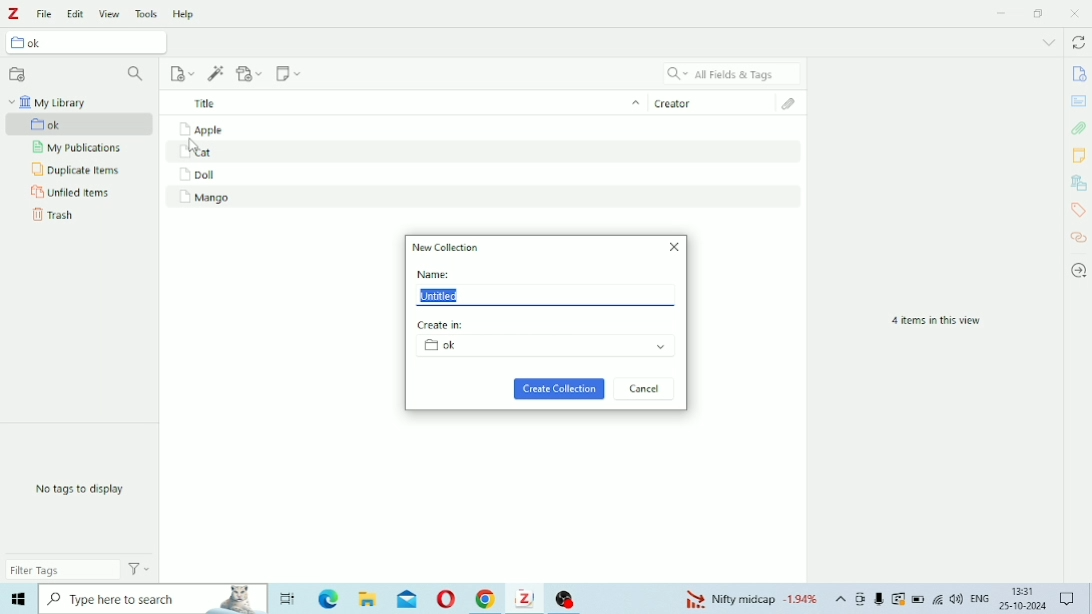  Describe the element at coordinates (407, 598) in the screenshot. I see `Mail` at that location.